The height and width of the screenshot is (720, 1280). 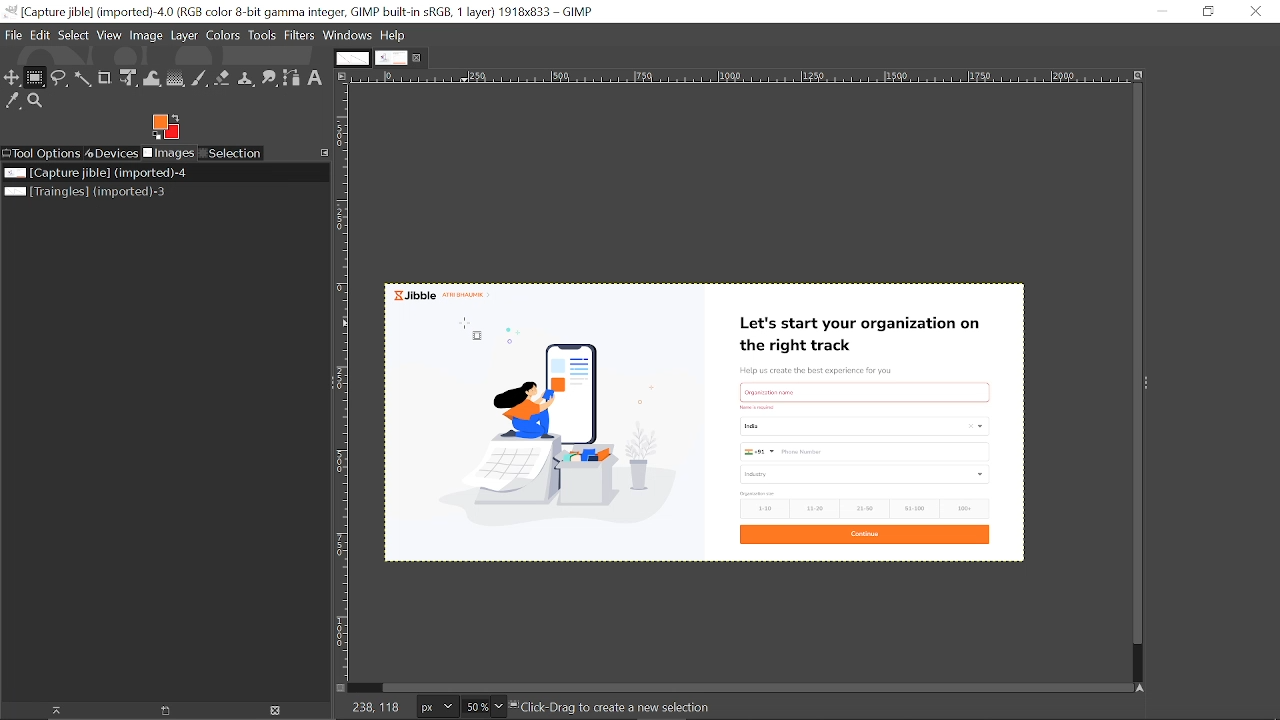 What do you see at coordinates (1163, 12) in the screenshot?
I see `Minimize` at bounding box center [1163, 12].